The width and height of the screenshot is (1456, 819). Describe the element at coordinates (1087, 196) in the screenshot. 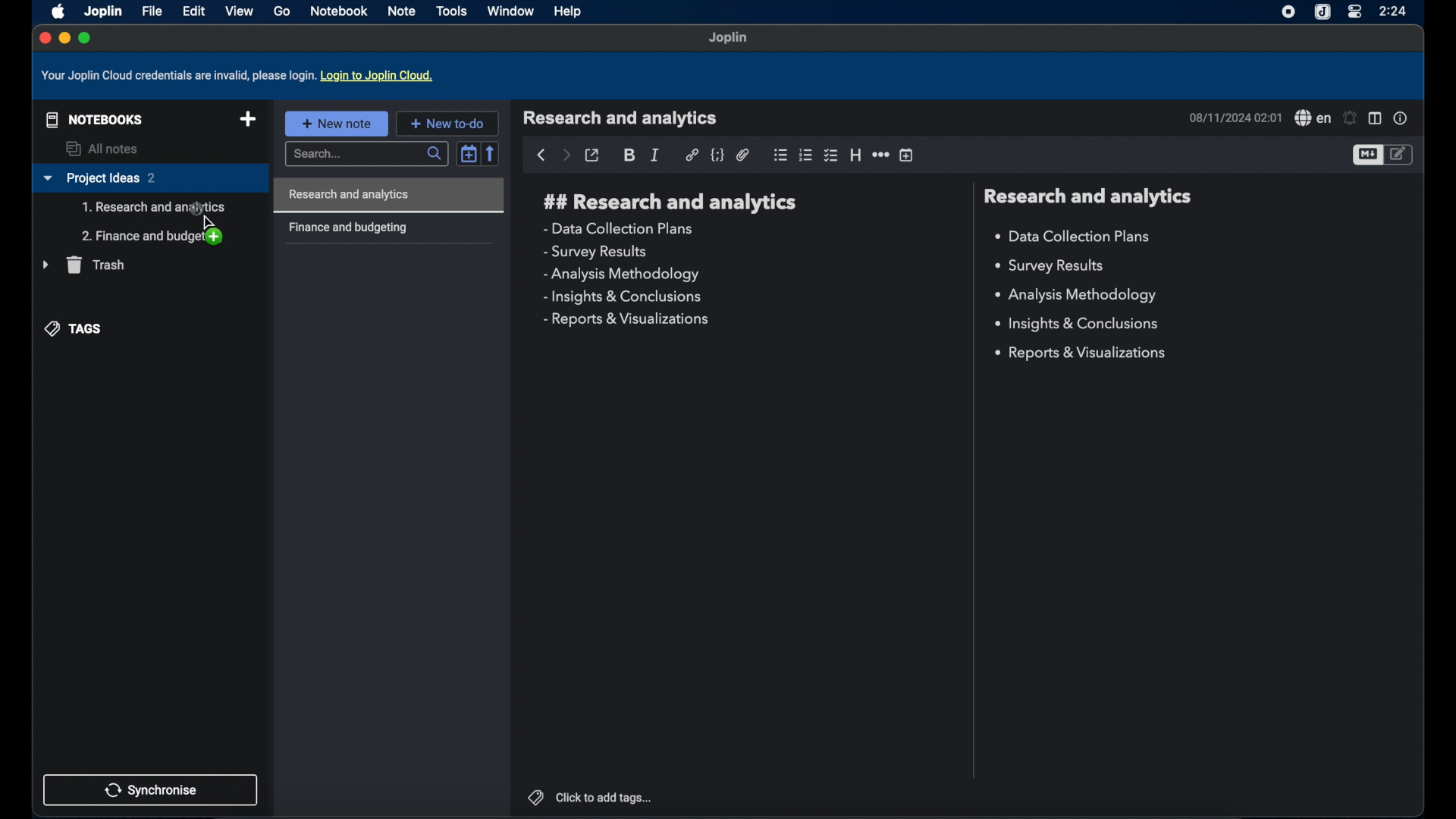

I see `research and analytics` at that location.